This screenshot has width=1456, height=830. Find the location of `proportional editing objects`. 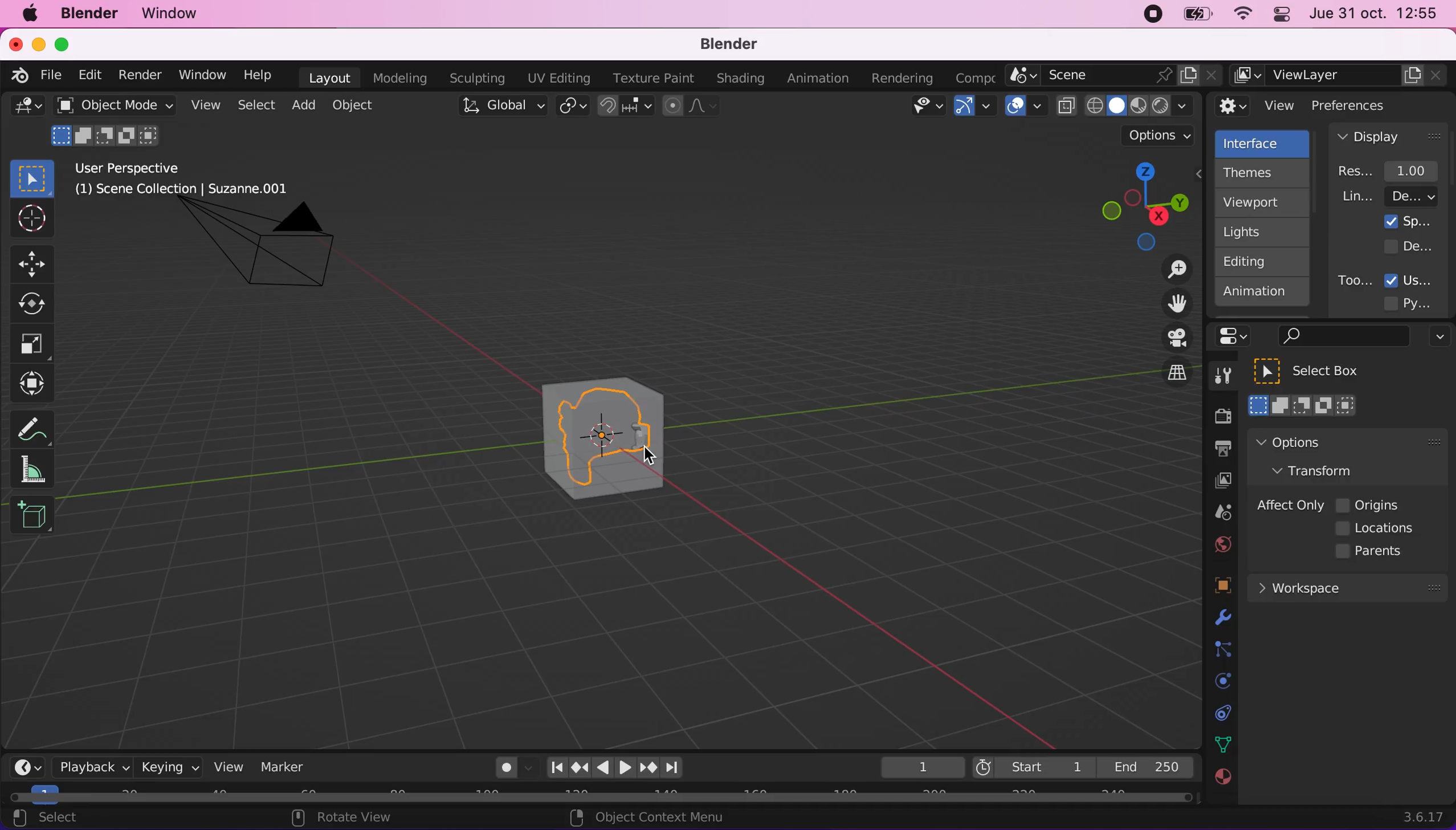

proportional editing objects is located at coordinates (692, 107).